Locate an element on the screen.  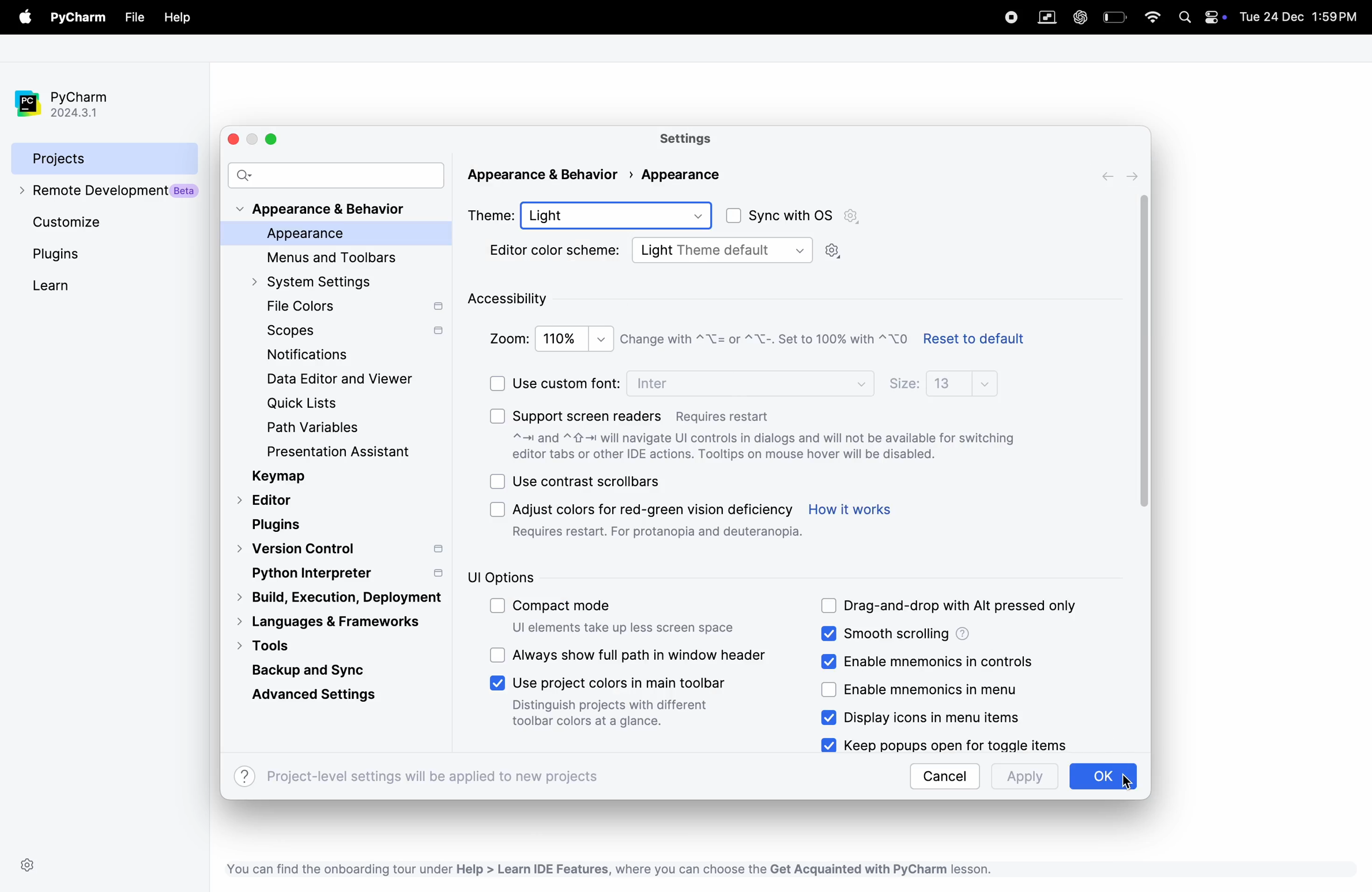
maximize is located at coordinates (275, 138).